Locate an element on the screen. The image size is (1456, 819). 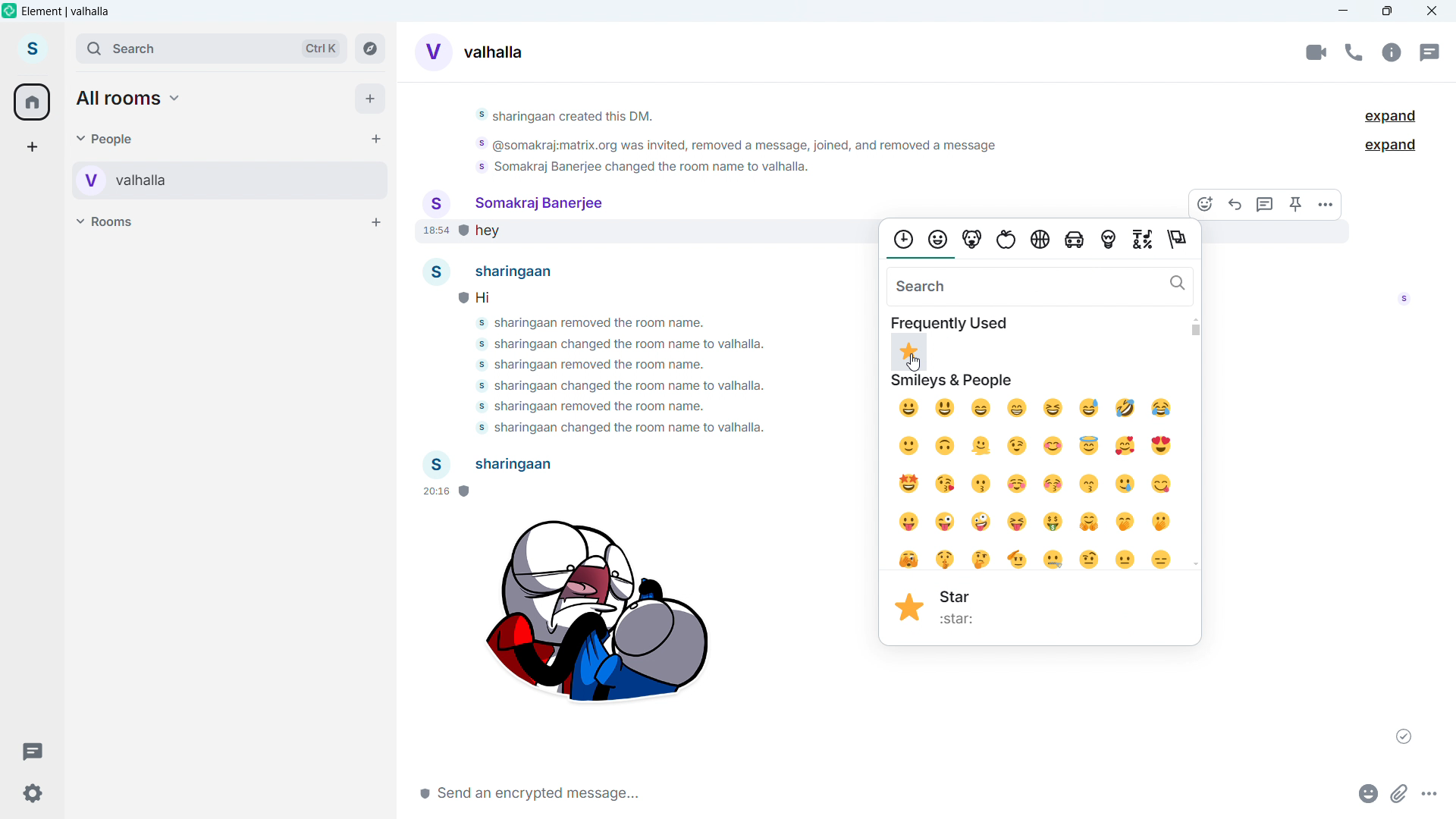
Threads  is located at coordinates (1428, 52).